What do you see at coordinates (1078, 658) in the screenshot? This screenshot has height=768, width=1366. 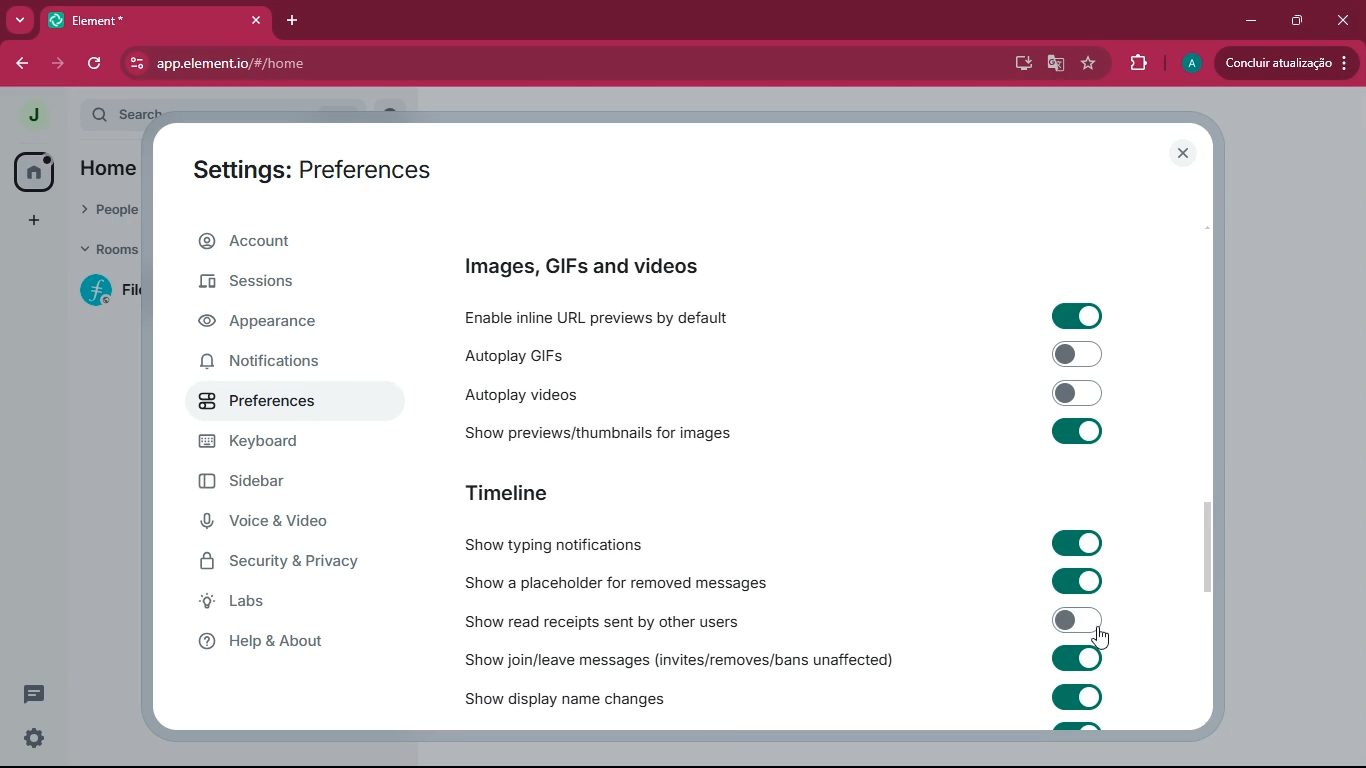 I see `toggle on/off` at bounding box center [1078, 658].